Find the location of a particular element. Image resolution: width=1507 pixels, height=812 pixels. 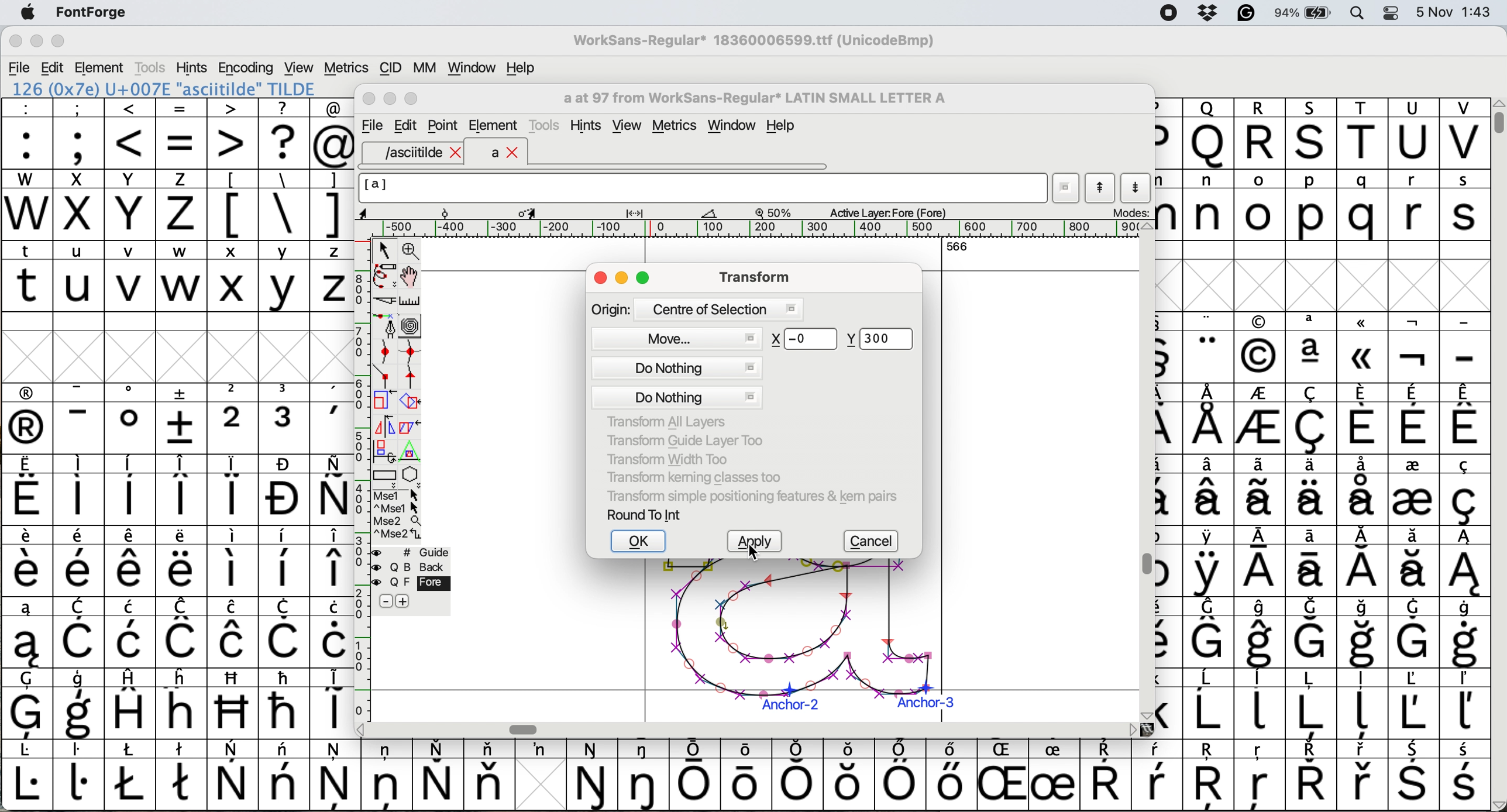

symbol is located at coordinates (233, 560).